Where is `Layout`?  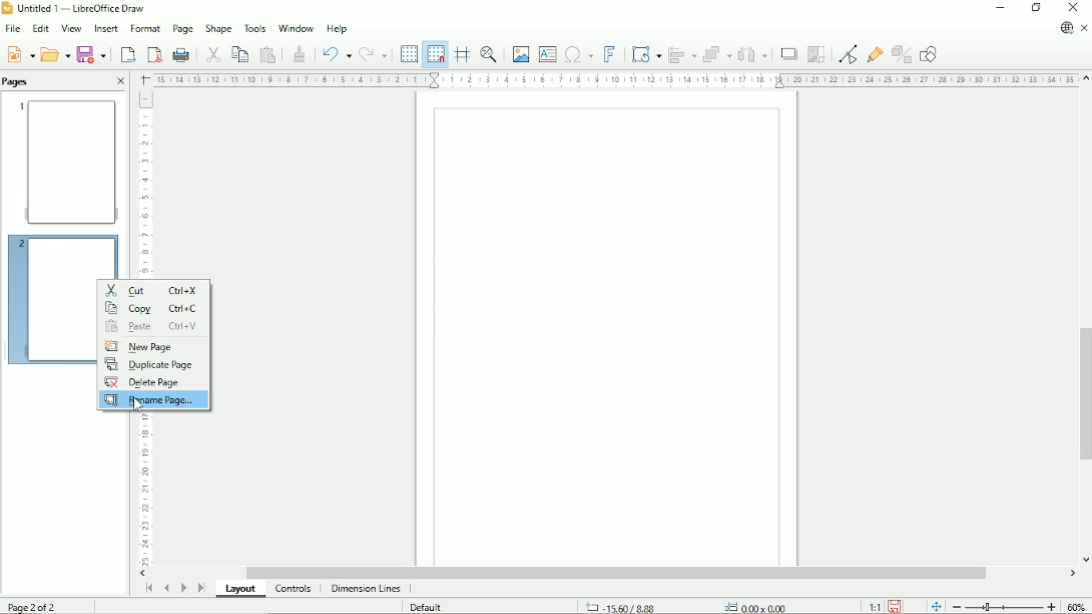 Layout is located at coordinates (243, 590).